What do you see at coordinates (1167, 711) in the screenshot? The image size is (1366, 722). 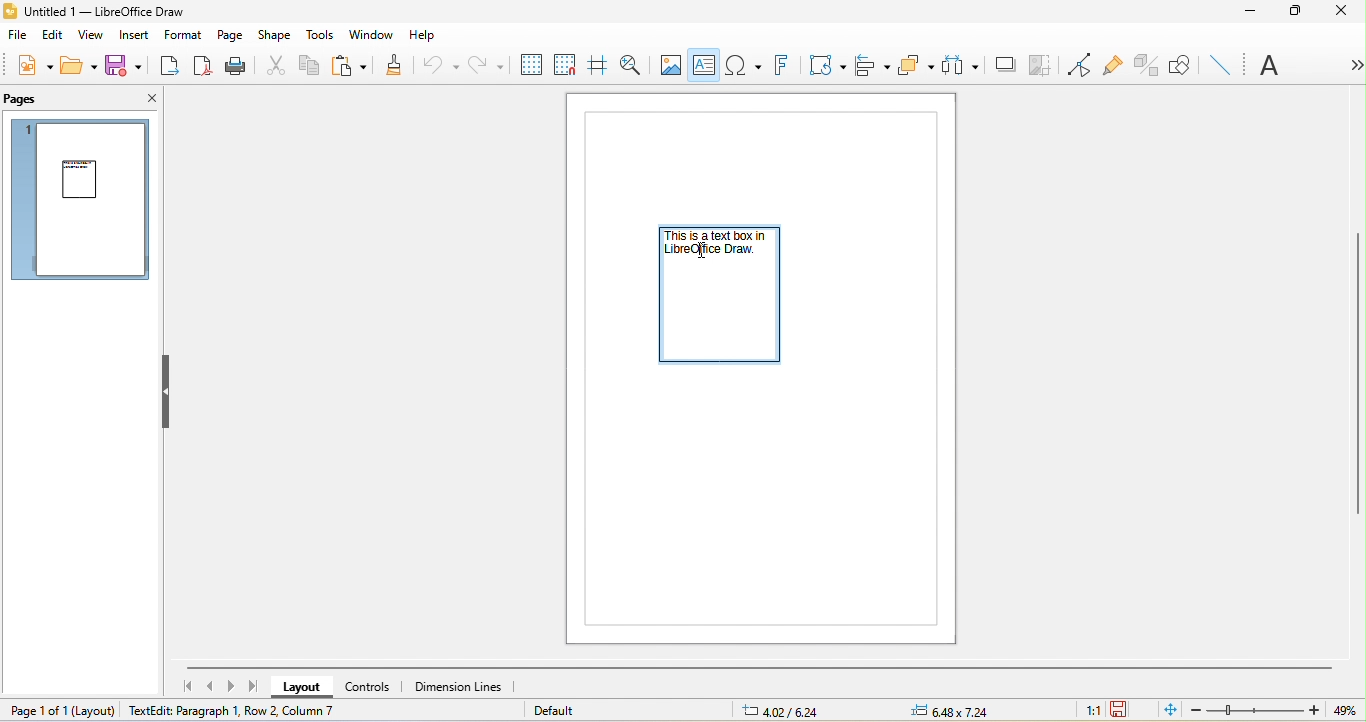 I see `fit to the current window` at bounding box center [1167, 711].